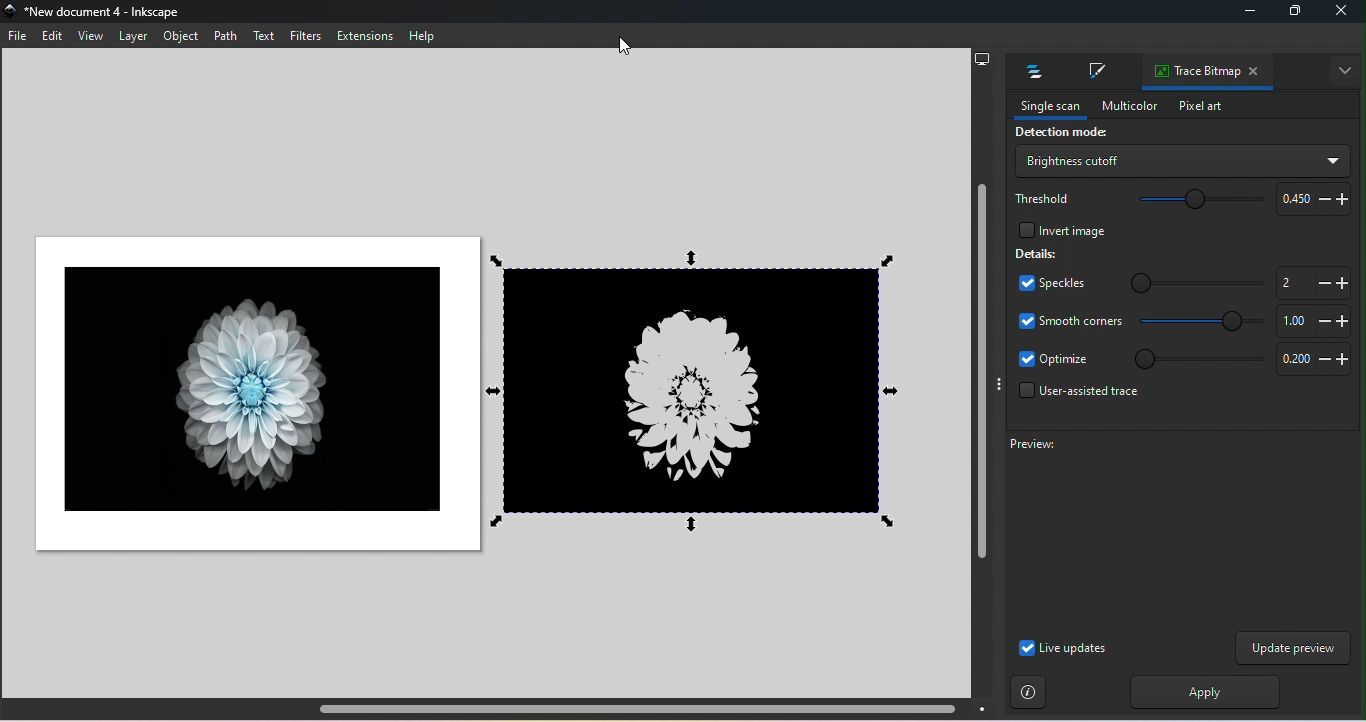 This screenshot has width=1366, height=722. Describe the element at coordinates (1044, 197) in the screenshot. I see `Threshold` at that location.